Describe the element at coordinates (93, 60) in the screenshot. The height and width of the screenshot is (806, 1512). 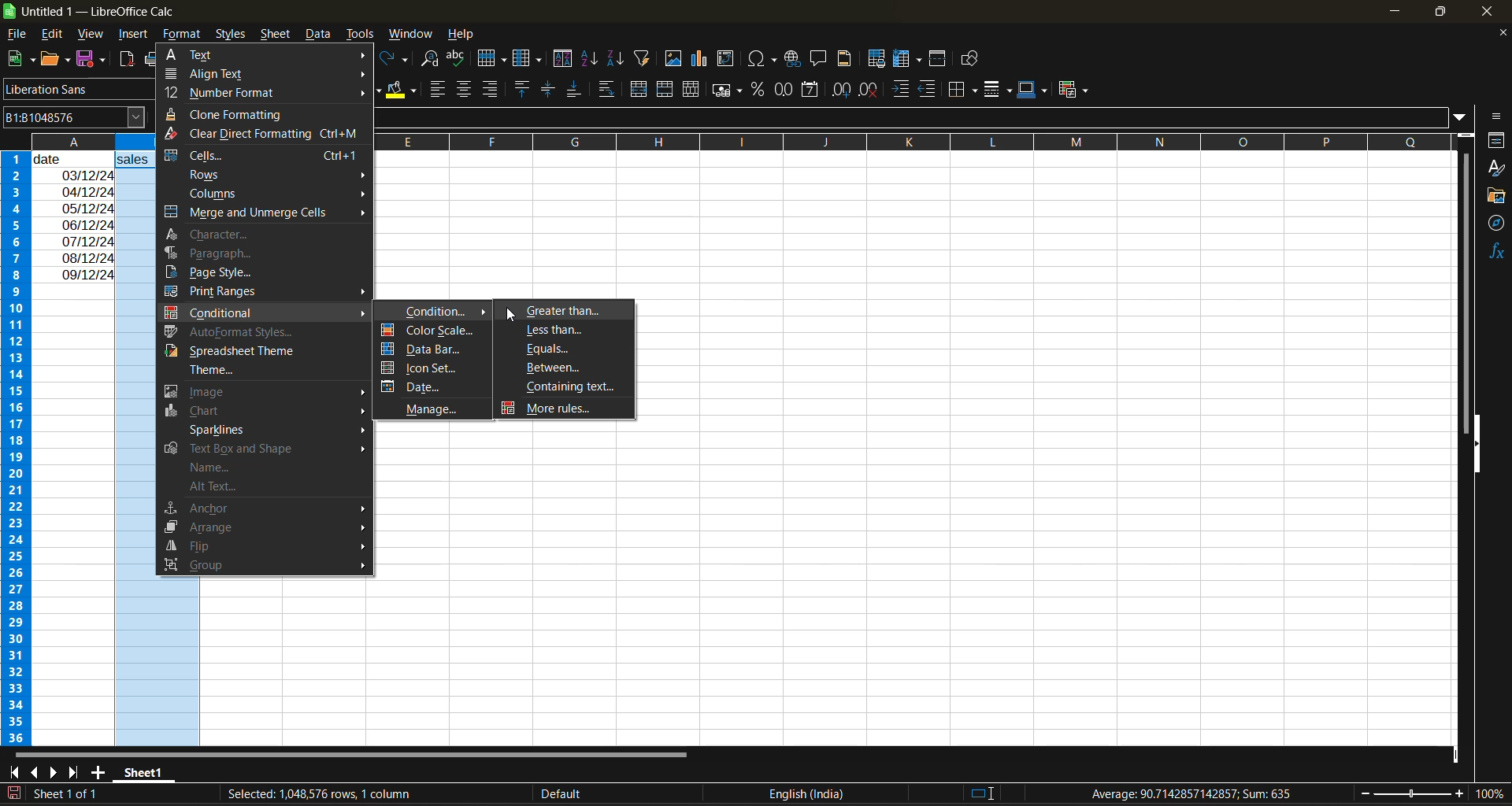
I see `save` at that location.